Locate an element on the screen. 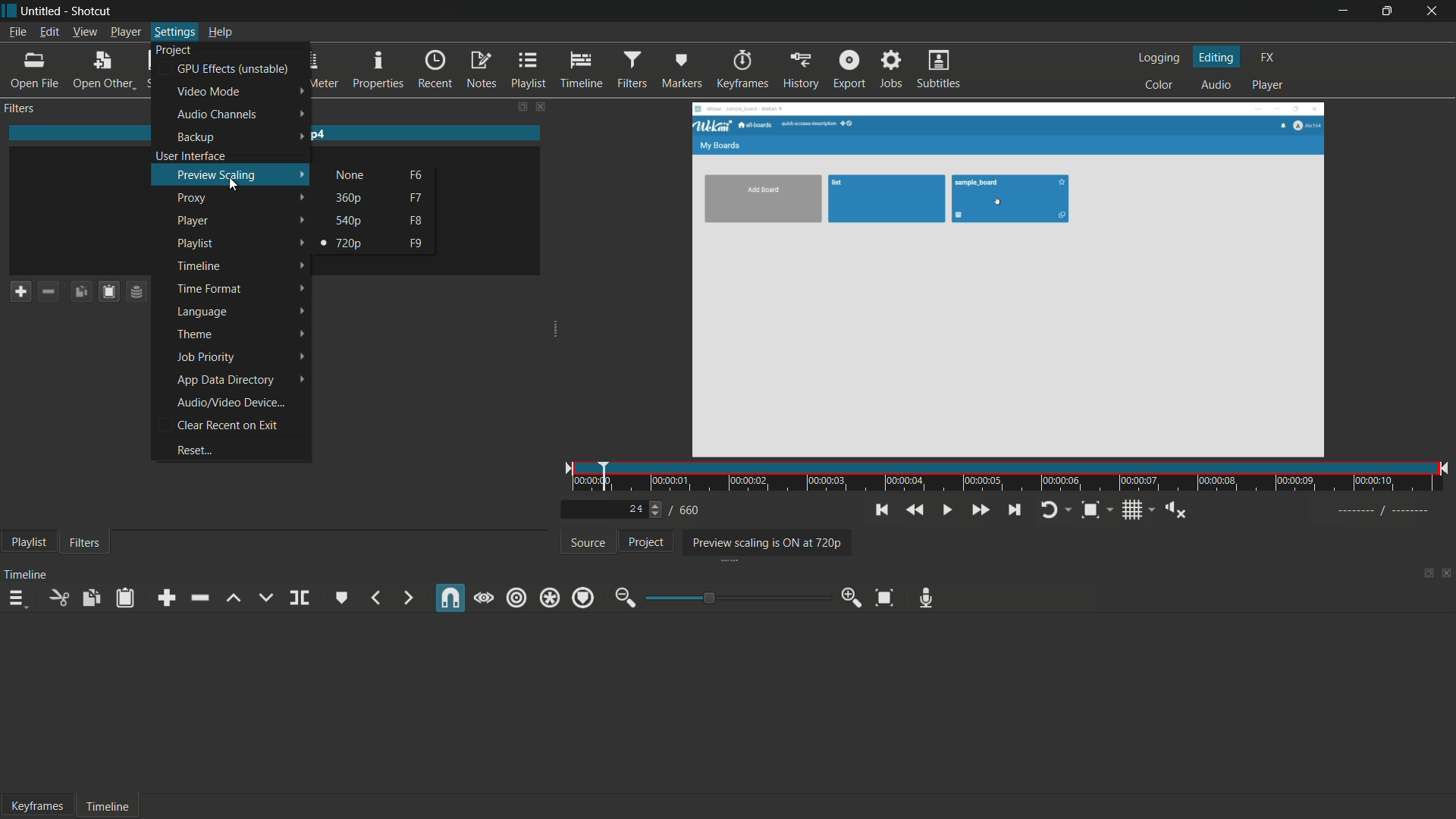  playlist is located at coordinates (26, 544).